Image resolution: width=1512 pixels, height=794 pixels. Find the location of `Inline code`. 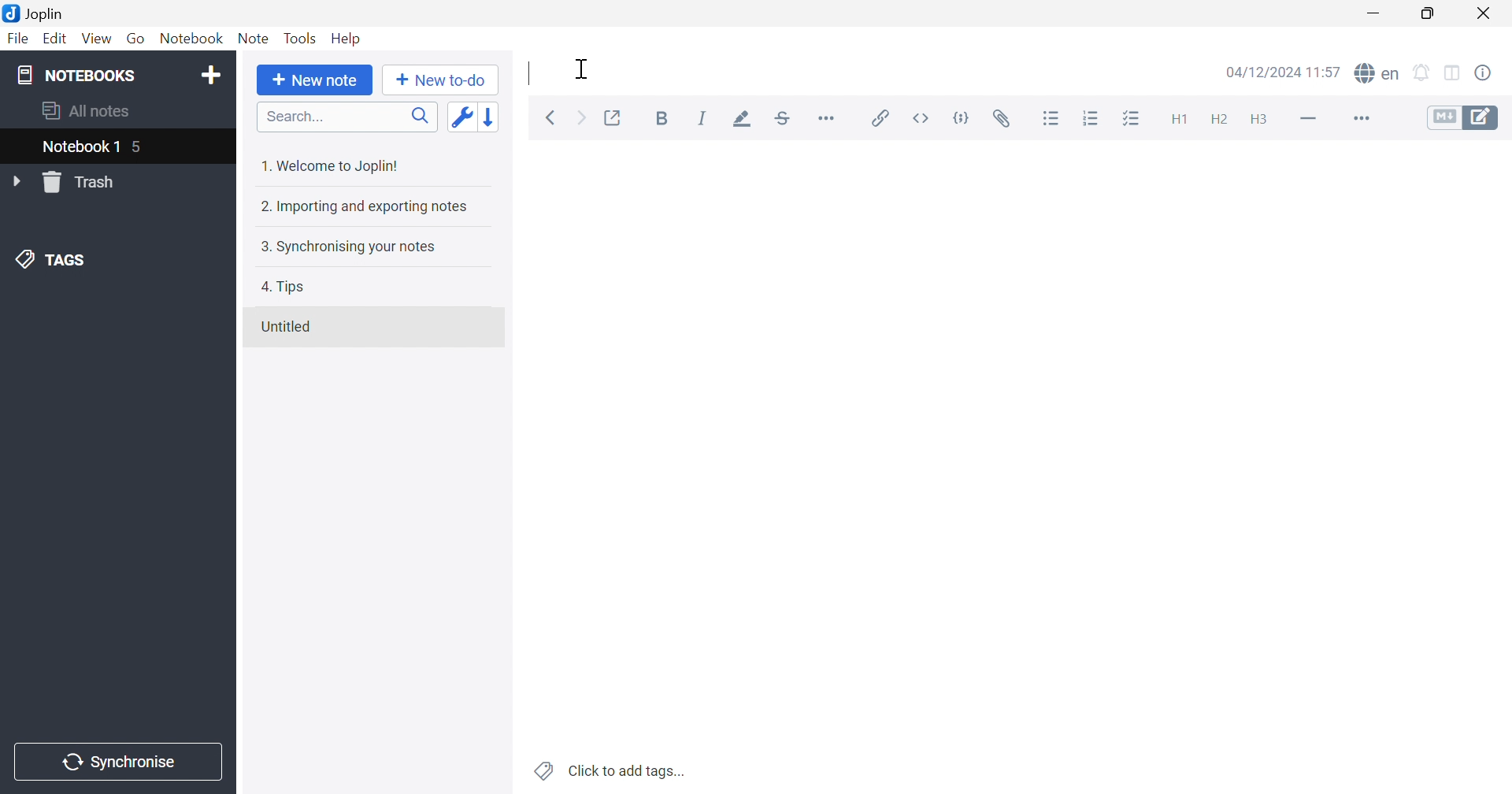

Inline code is located at coordinates (922, 117).